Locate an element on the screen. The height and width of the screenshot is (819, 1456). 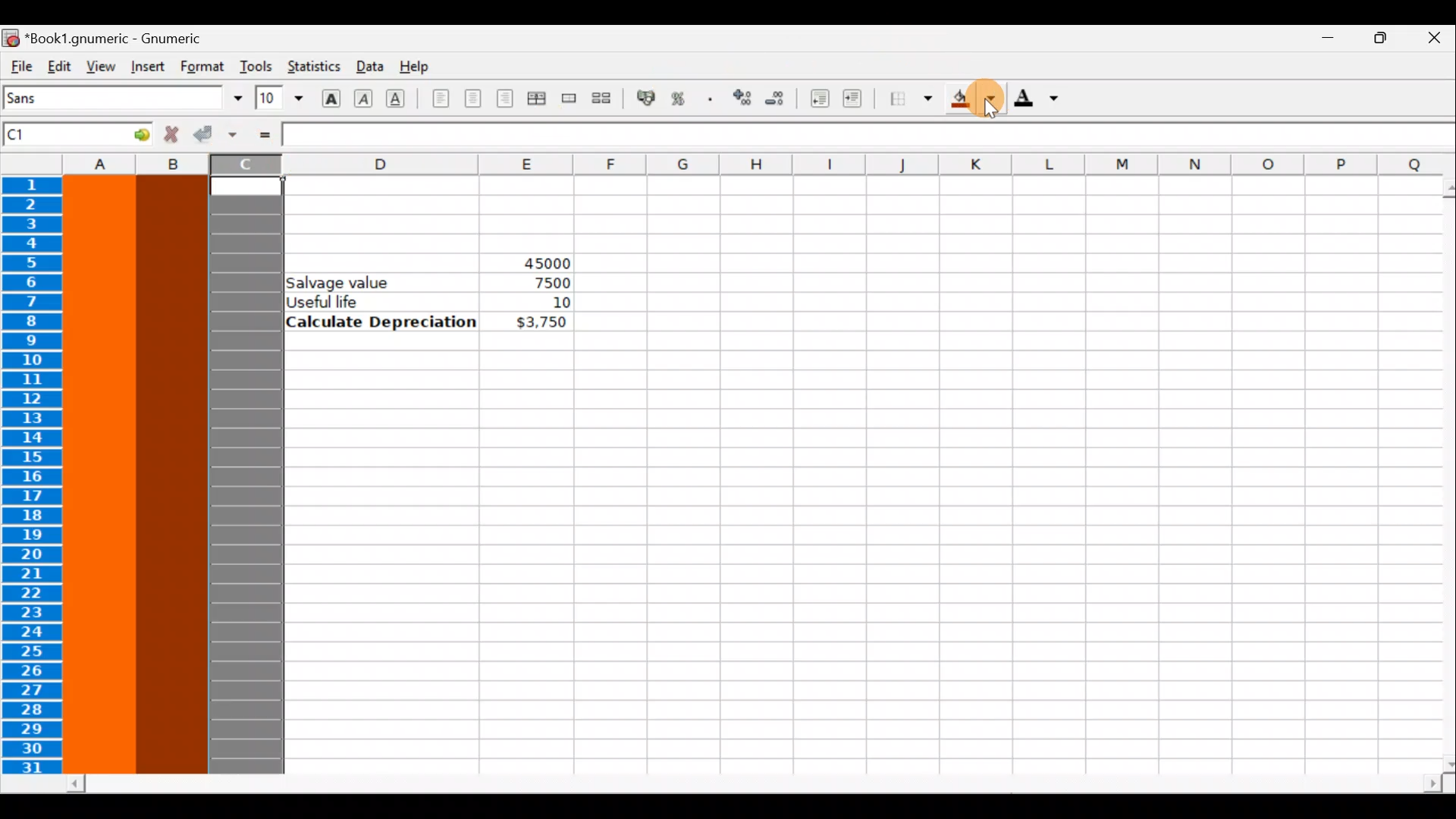
Align left is located at coordinates (441, 99).